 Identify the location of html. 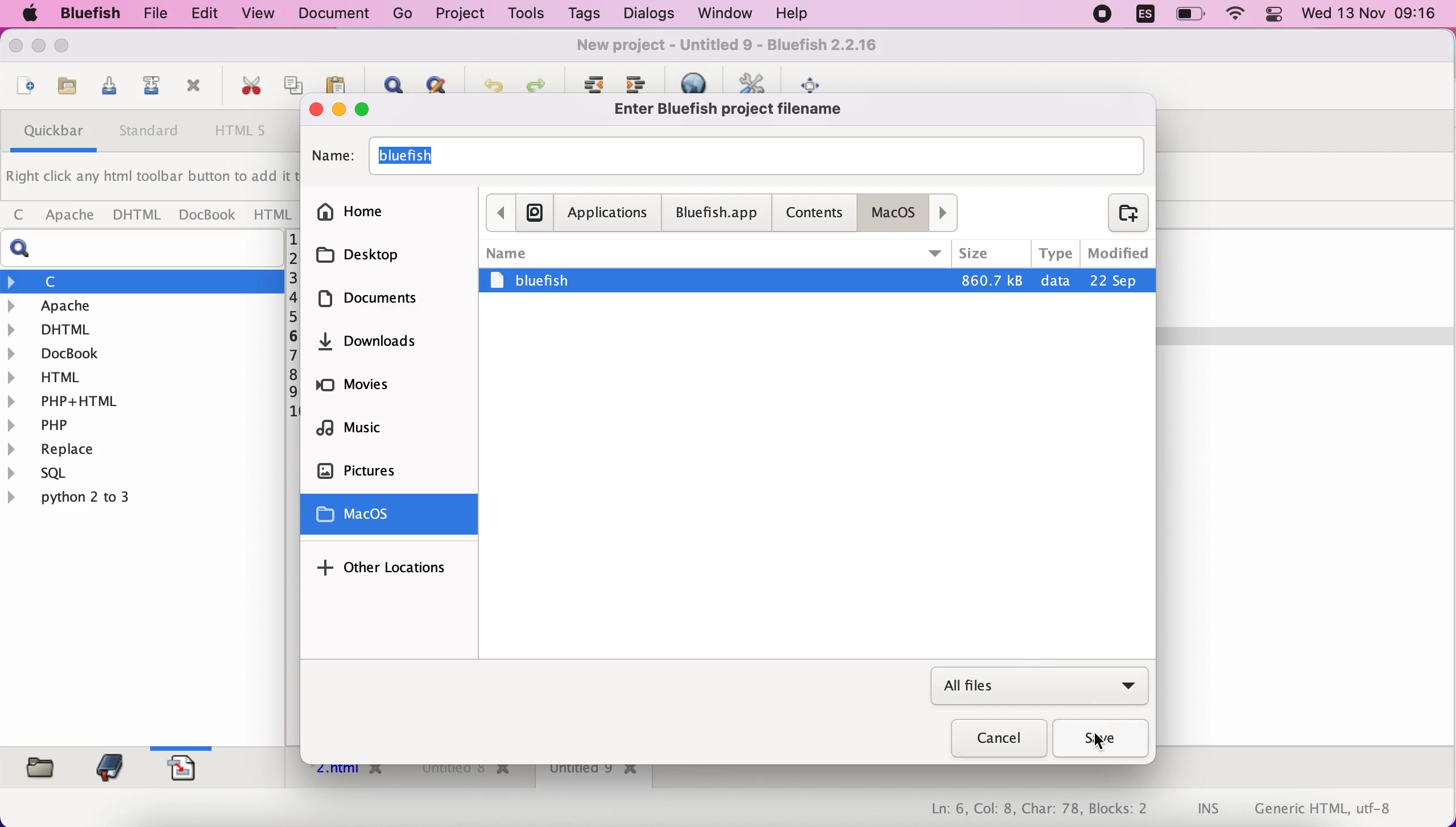
(271, 214).